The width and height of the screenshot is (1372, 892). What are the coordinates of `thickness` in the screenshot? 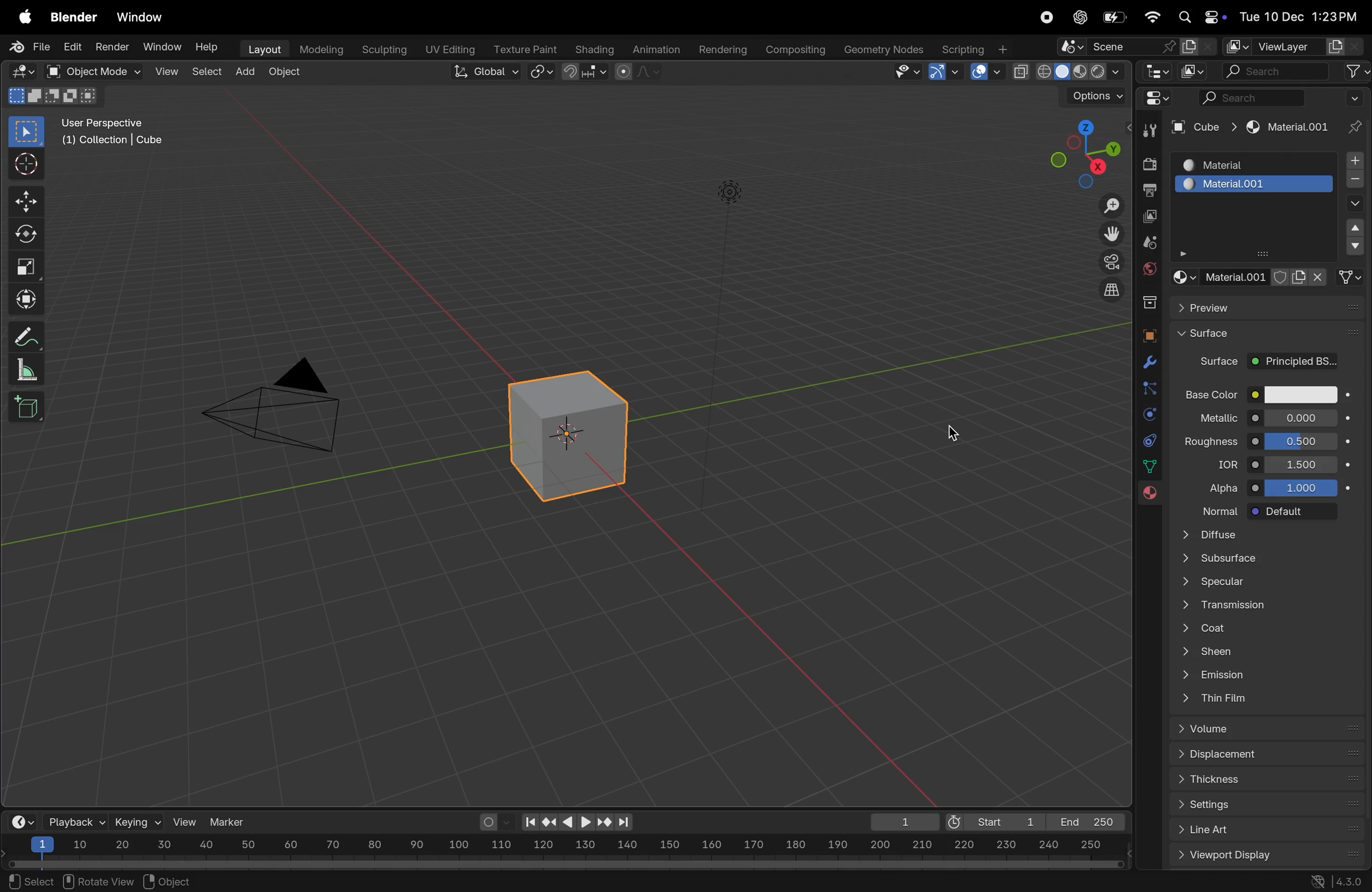 It's located at (1269, 782).